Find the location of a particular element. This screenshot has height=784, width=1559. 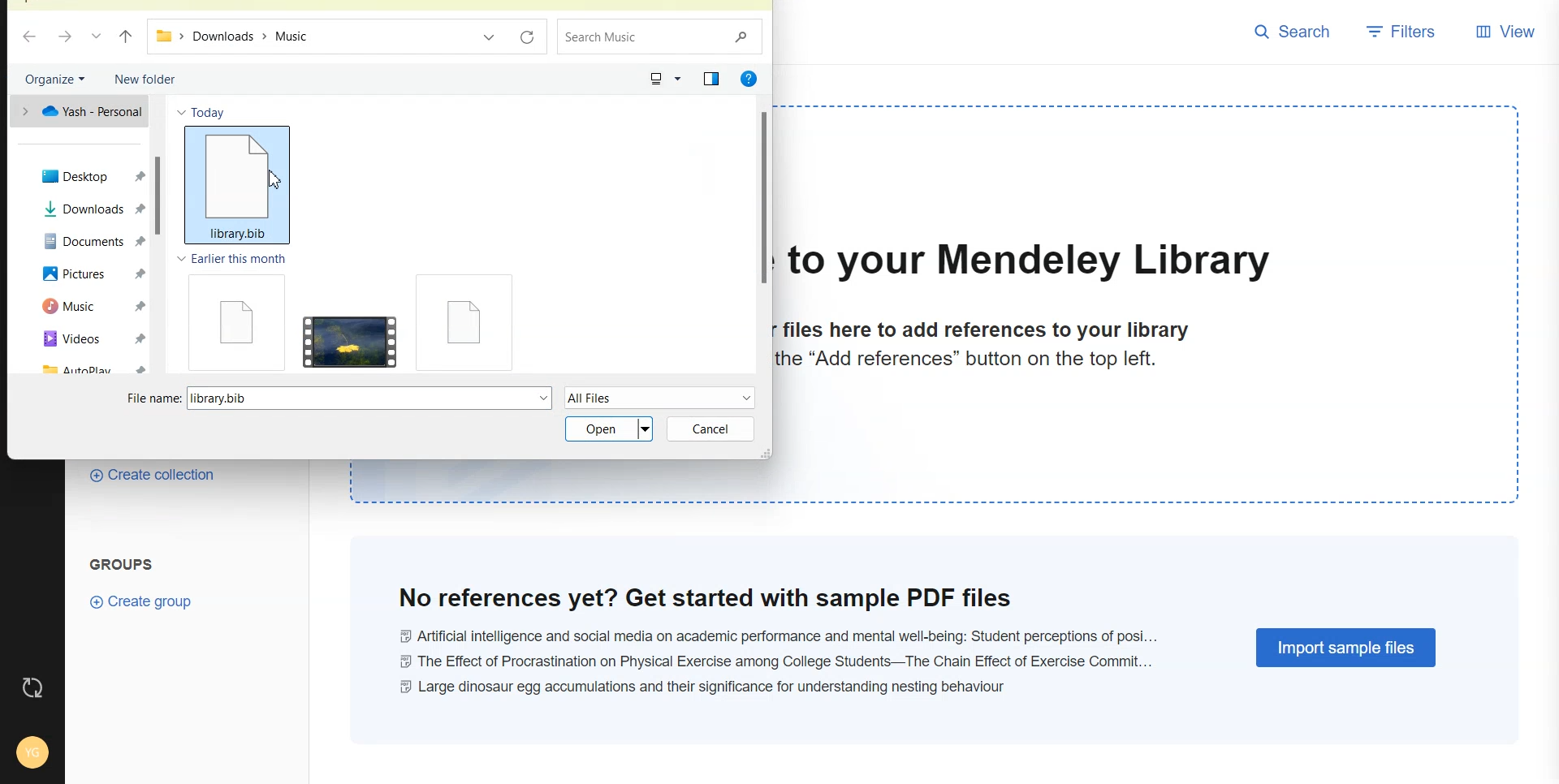

library.bib is located at coordinates (371, 398).